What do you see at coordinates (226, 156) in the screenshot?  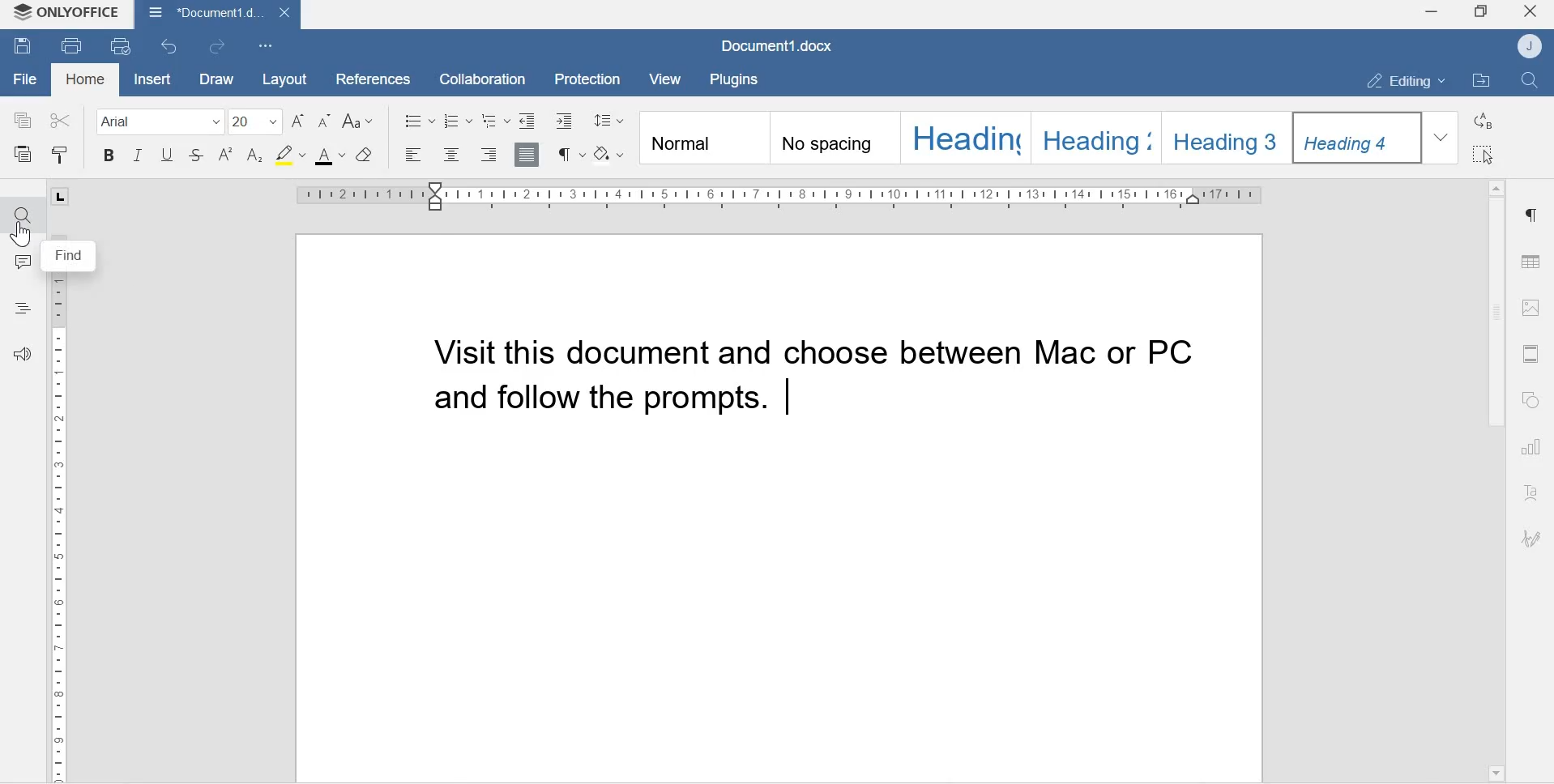 I see `Superscript` at bounding box center [226, 156].